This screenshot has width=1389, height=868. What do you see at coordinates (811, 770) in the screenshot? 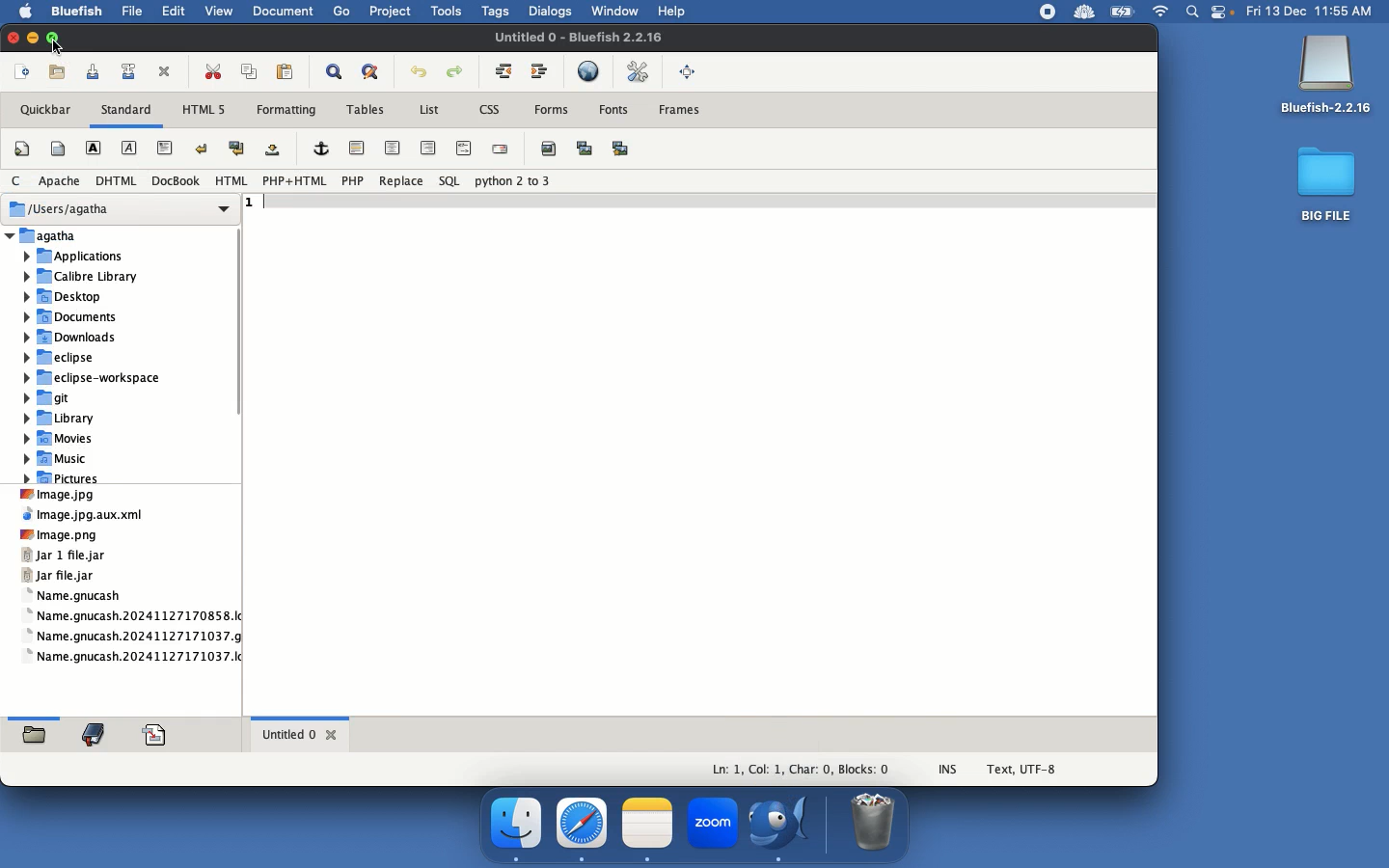
I see `Char` at bounding box center [811, 770].